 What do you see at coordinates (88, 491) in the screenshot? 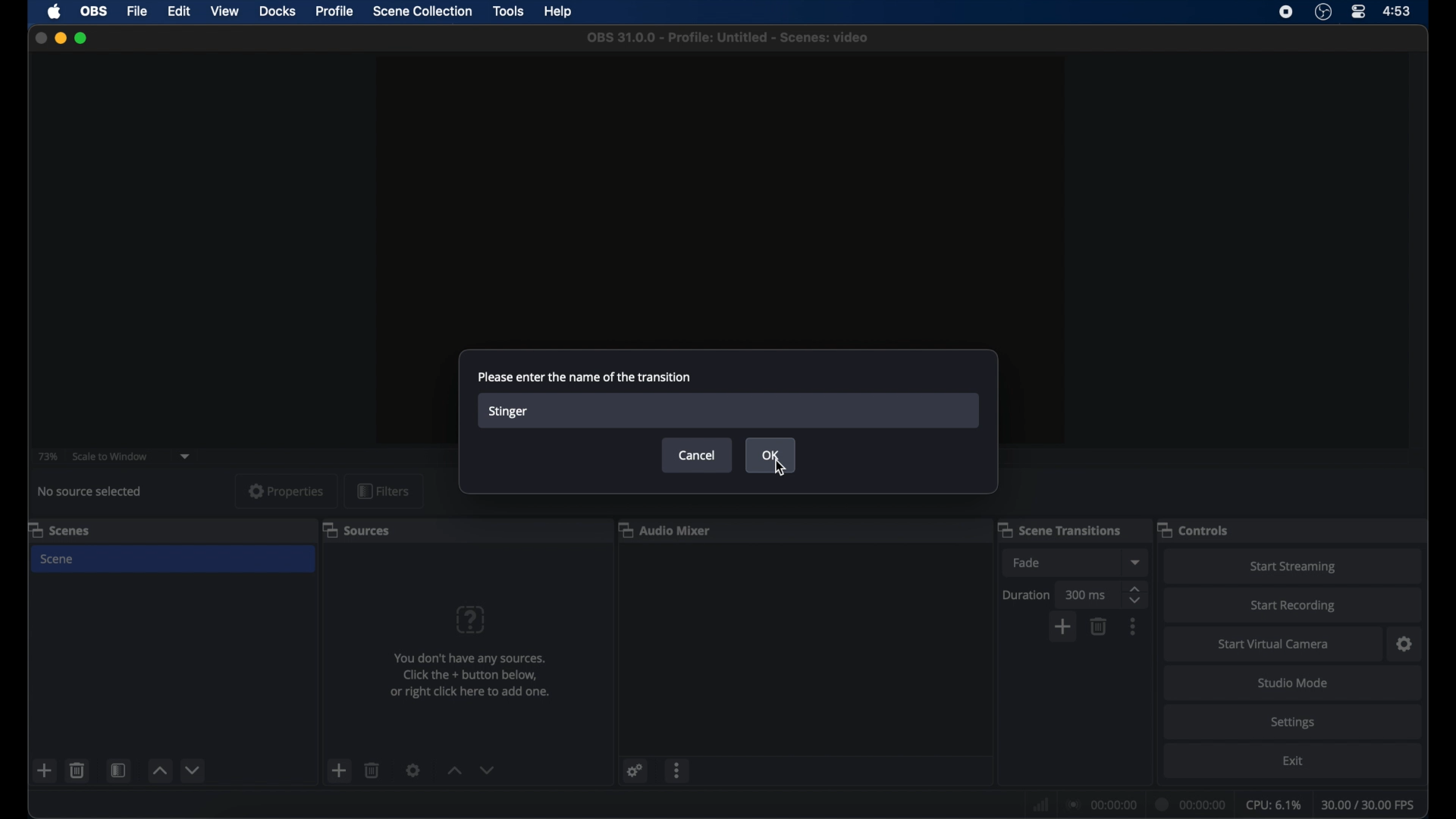
I see `no source selected` at bounding box center [88, 491].